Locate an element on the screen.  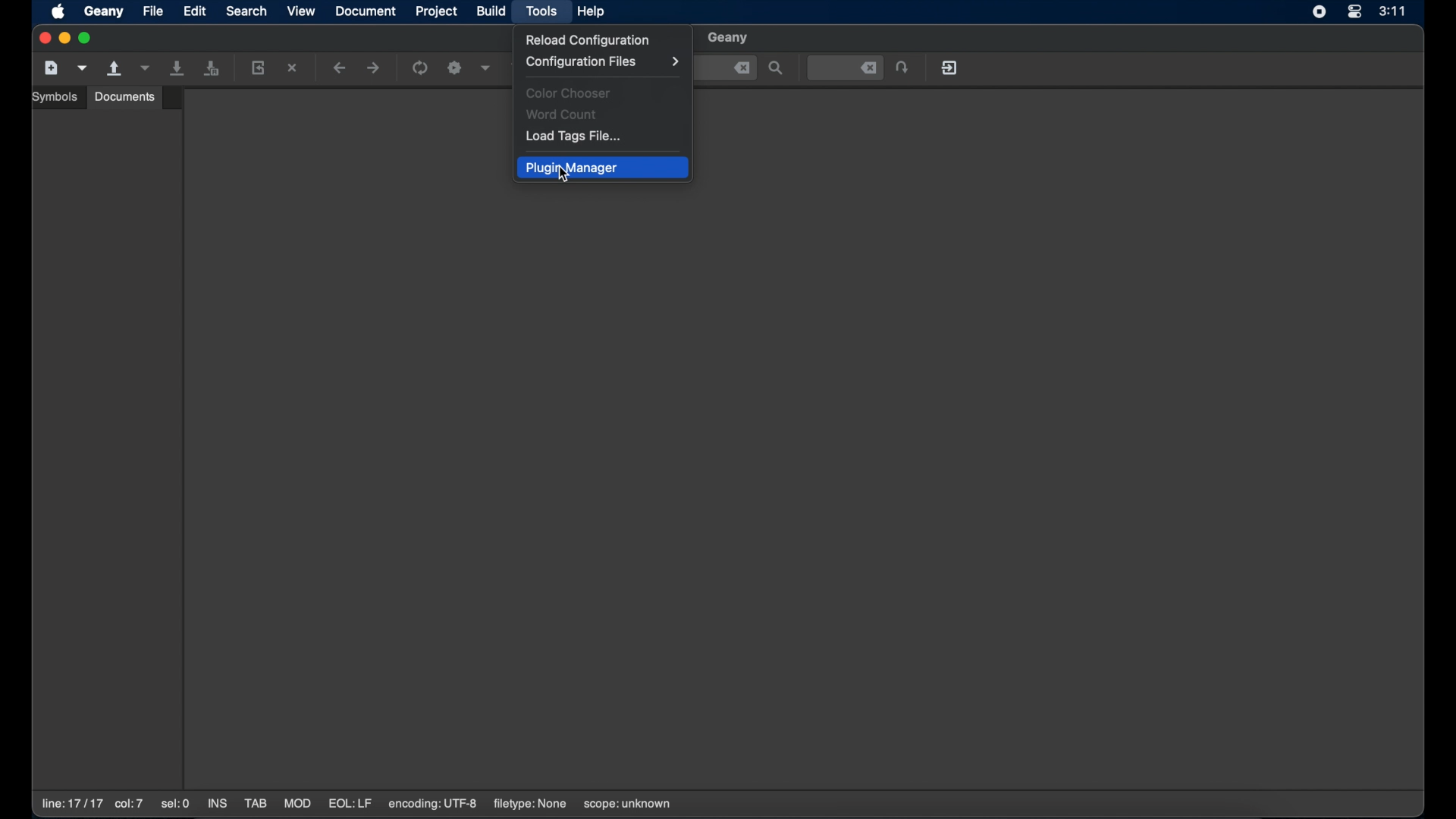
jump to the entered file is located at coordinates (846, 68).